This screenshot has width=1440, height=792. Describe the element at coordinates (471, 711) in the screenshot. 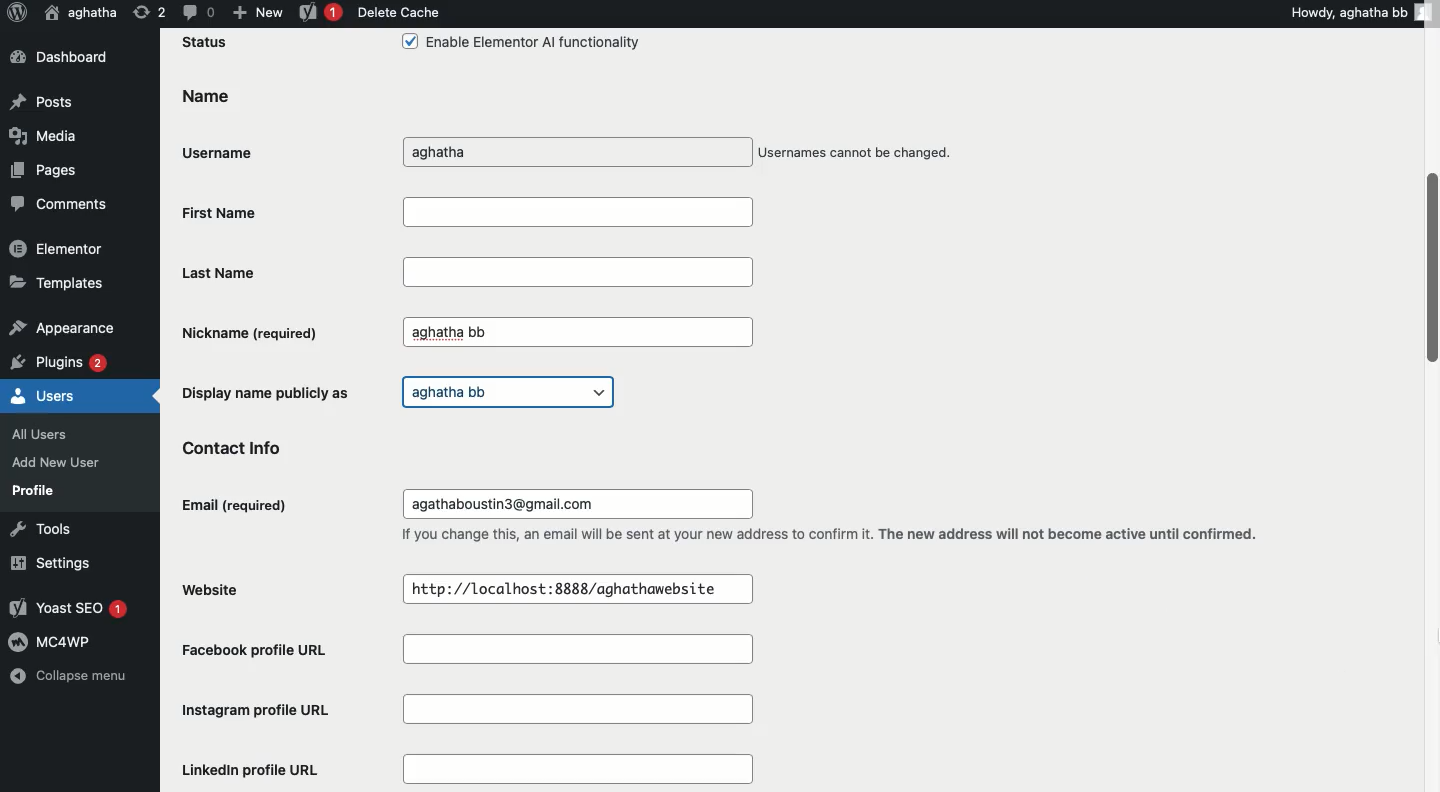

I see `Instagram profile URL` at that location.